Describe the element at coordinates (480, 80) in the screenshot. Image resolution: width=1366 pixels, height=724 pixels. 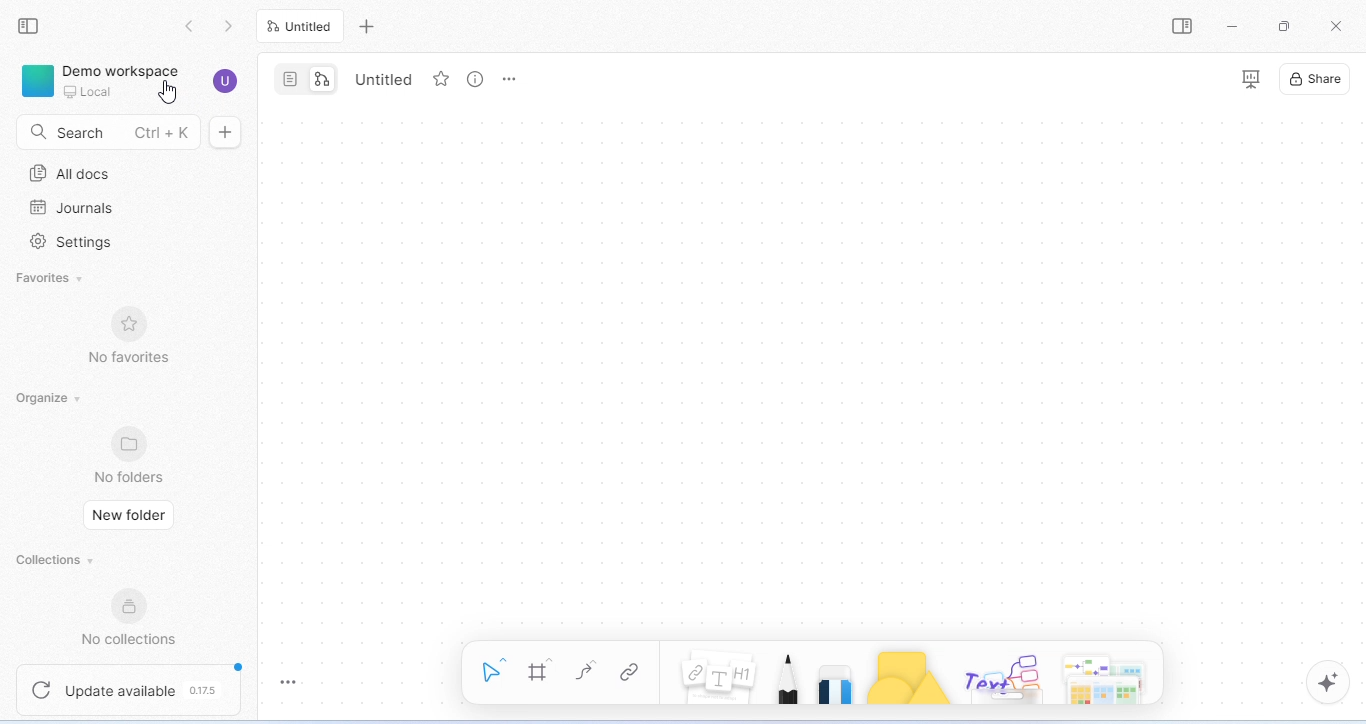
I see `view info` at that location.